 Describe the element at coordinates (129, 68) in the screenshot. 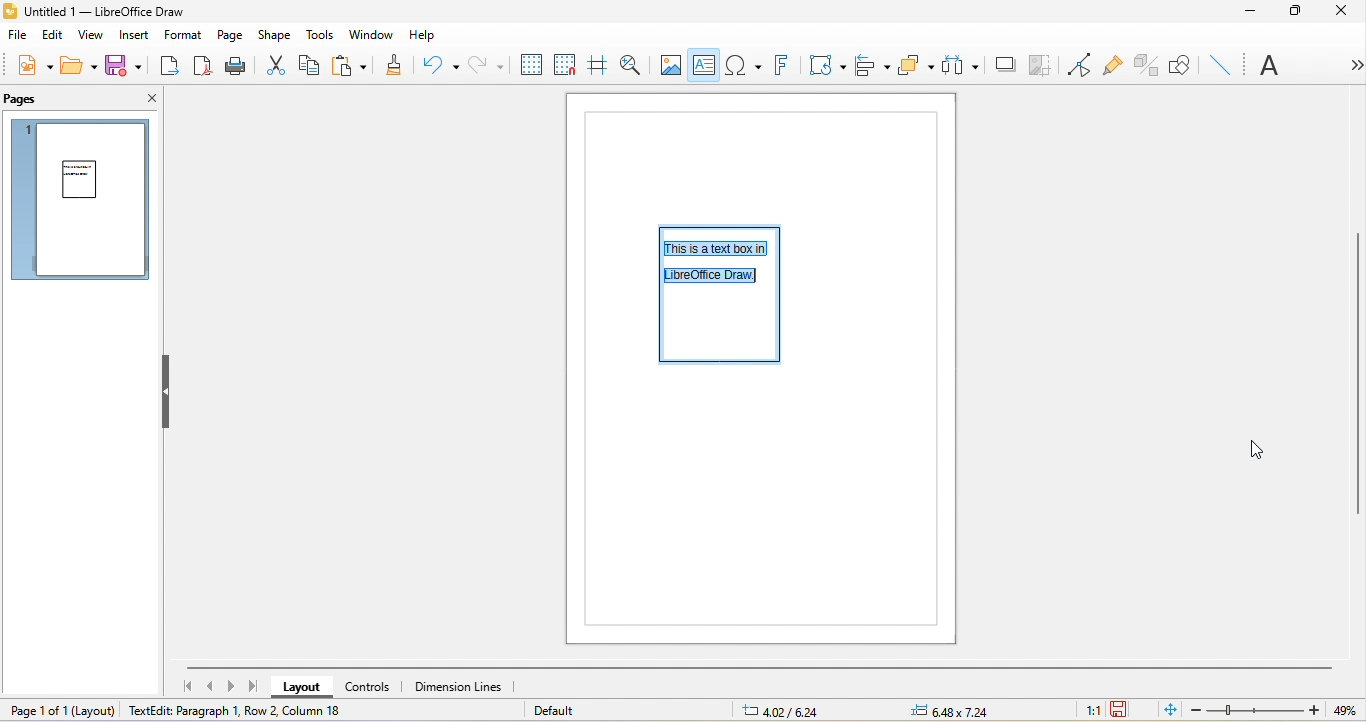

I see `save` at that location.